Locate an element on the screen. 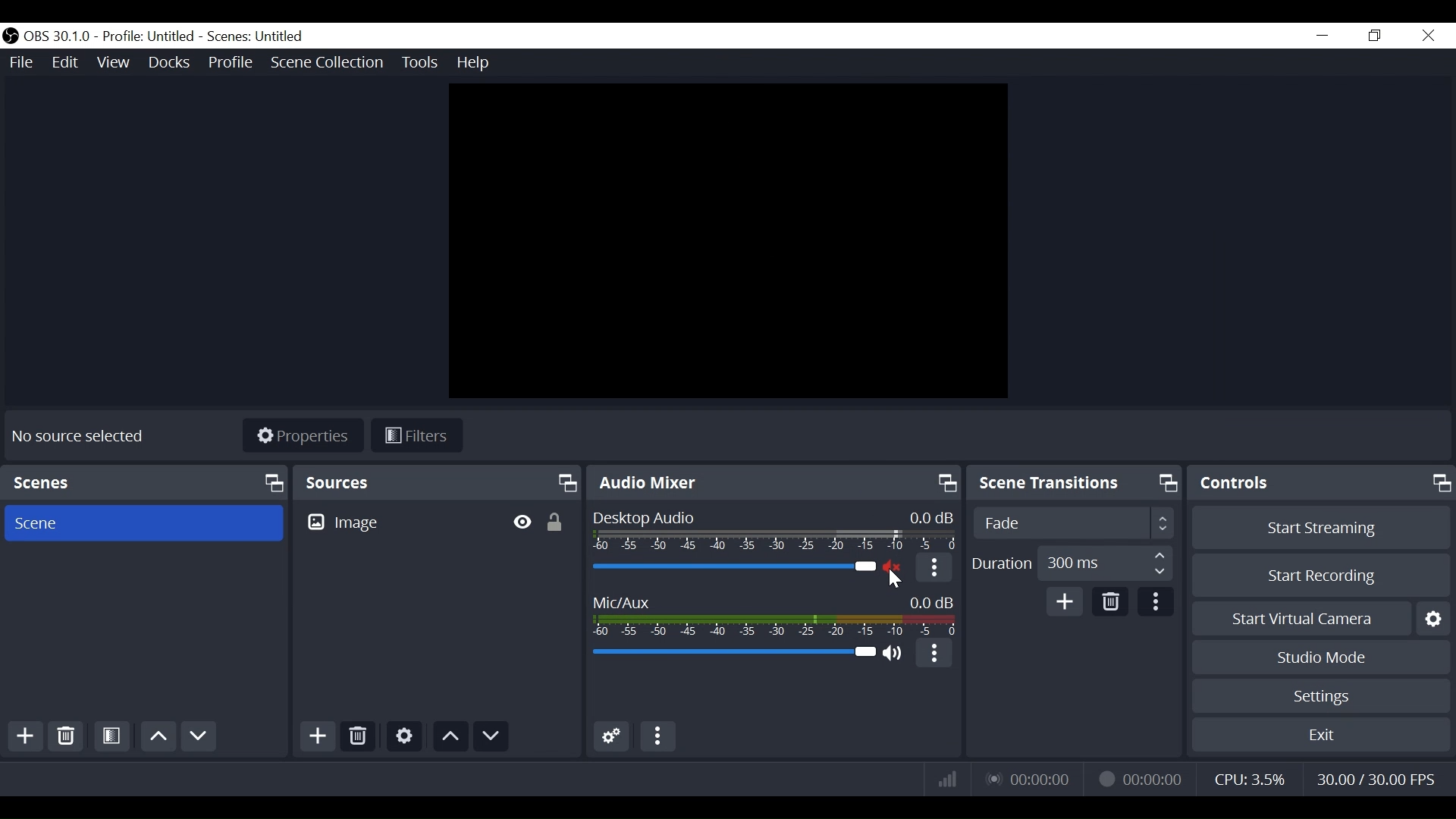  Image is located at coordinates (347, 524).